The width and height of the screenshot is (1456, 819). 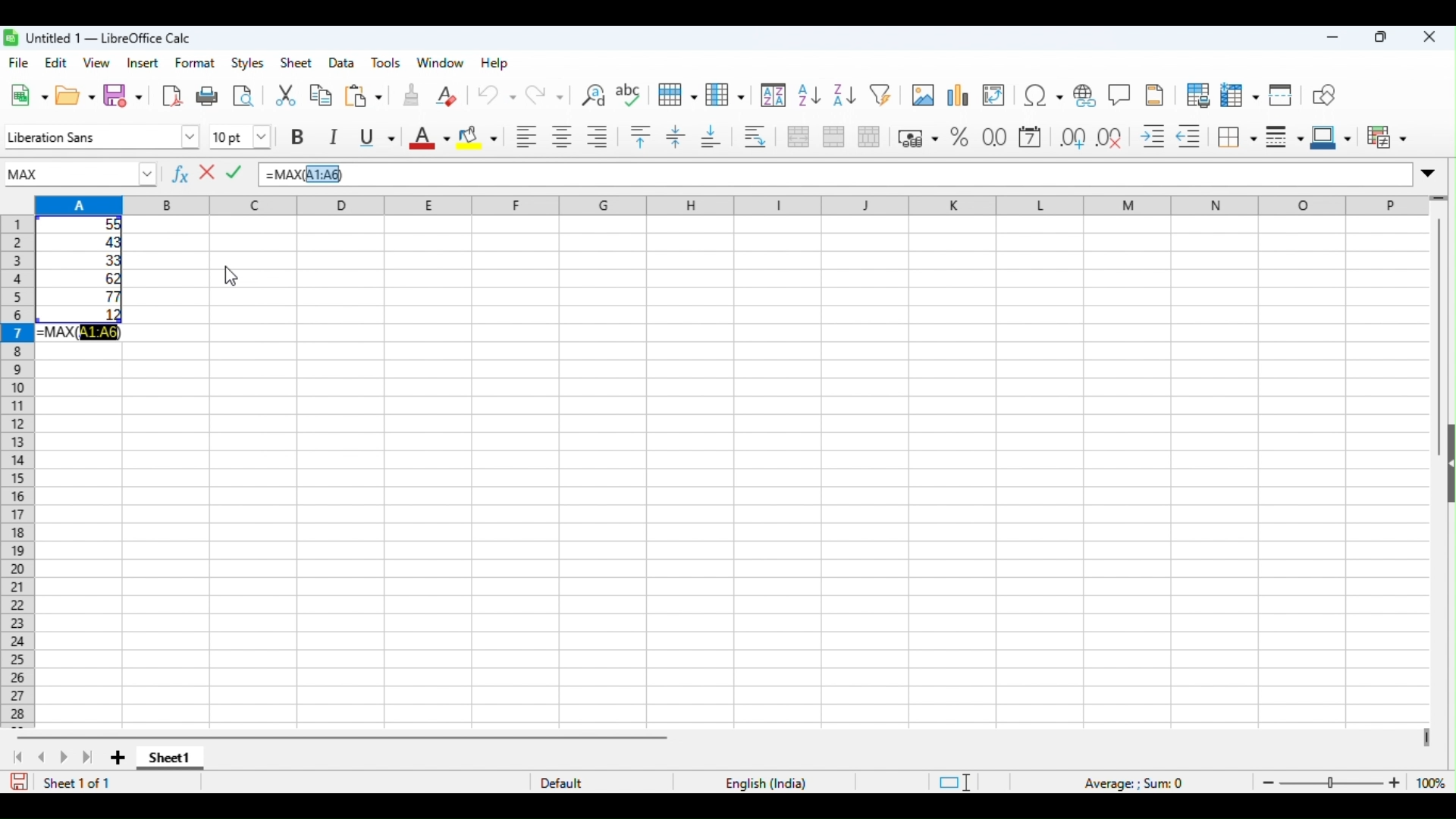 What do you see at coordinates (711, 136) in the screenshot?
I see `align bottom` at bounding box center [711, 136].